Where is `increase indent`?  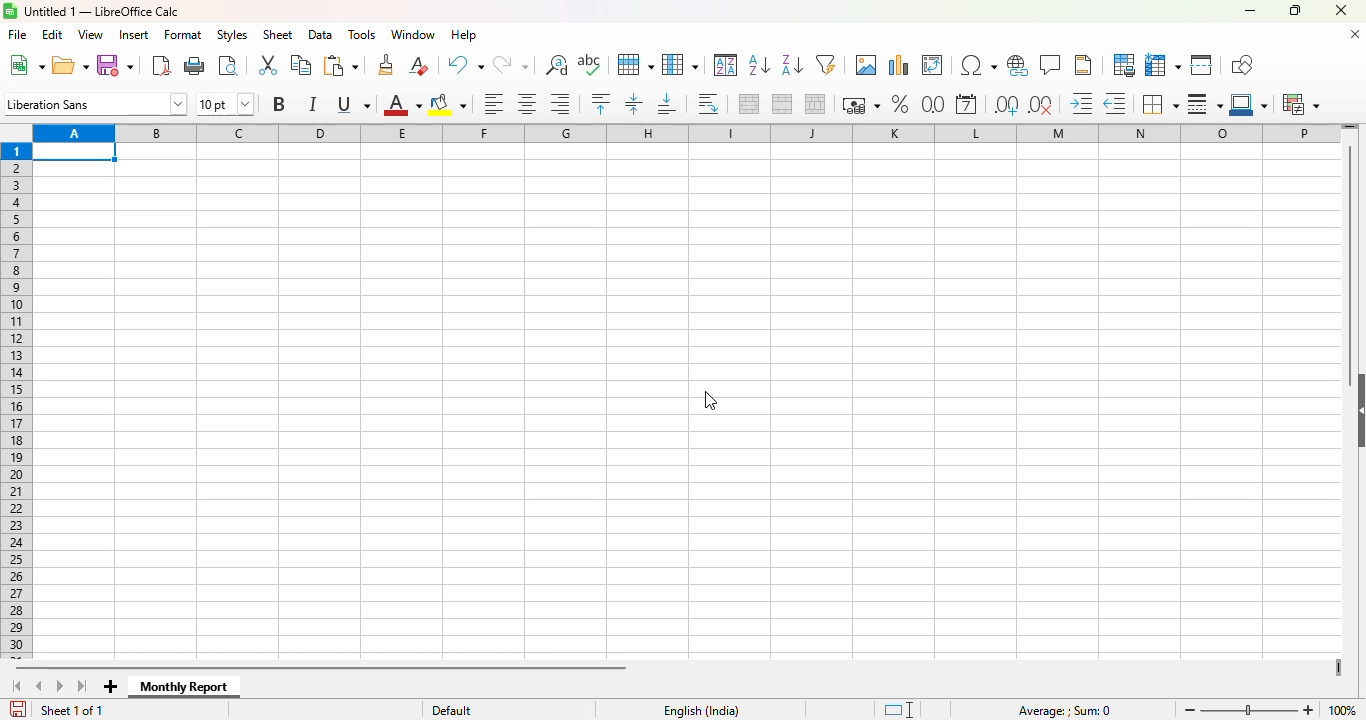
increase indent is located at coordinates (1080, 102).